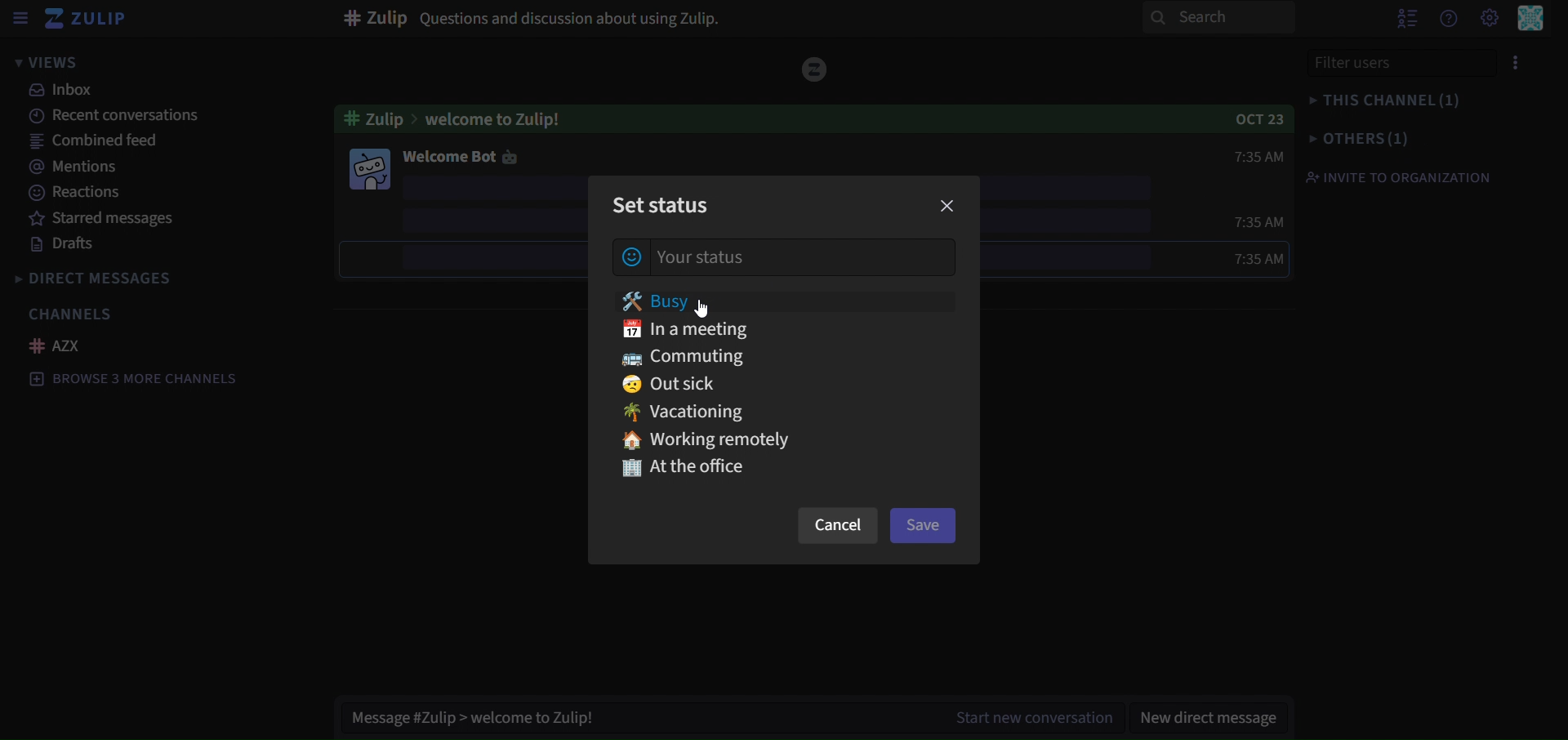 Image resolution: width=1568 pixels, height=740 pixels. What do you see at coordinates (1258, 219) in the screenshot?
I see `7:35am` at bounding box center [1258, 219].